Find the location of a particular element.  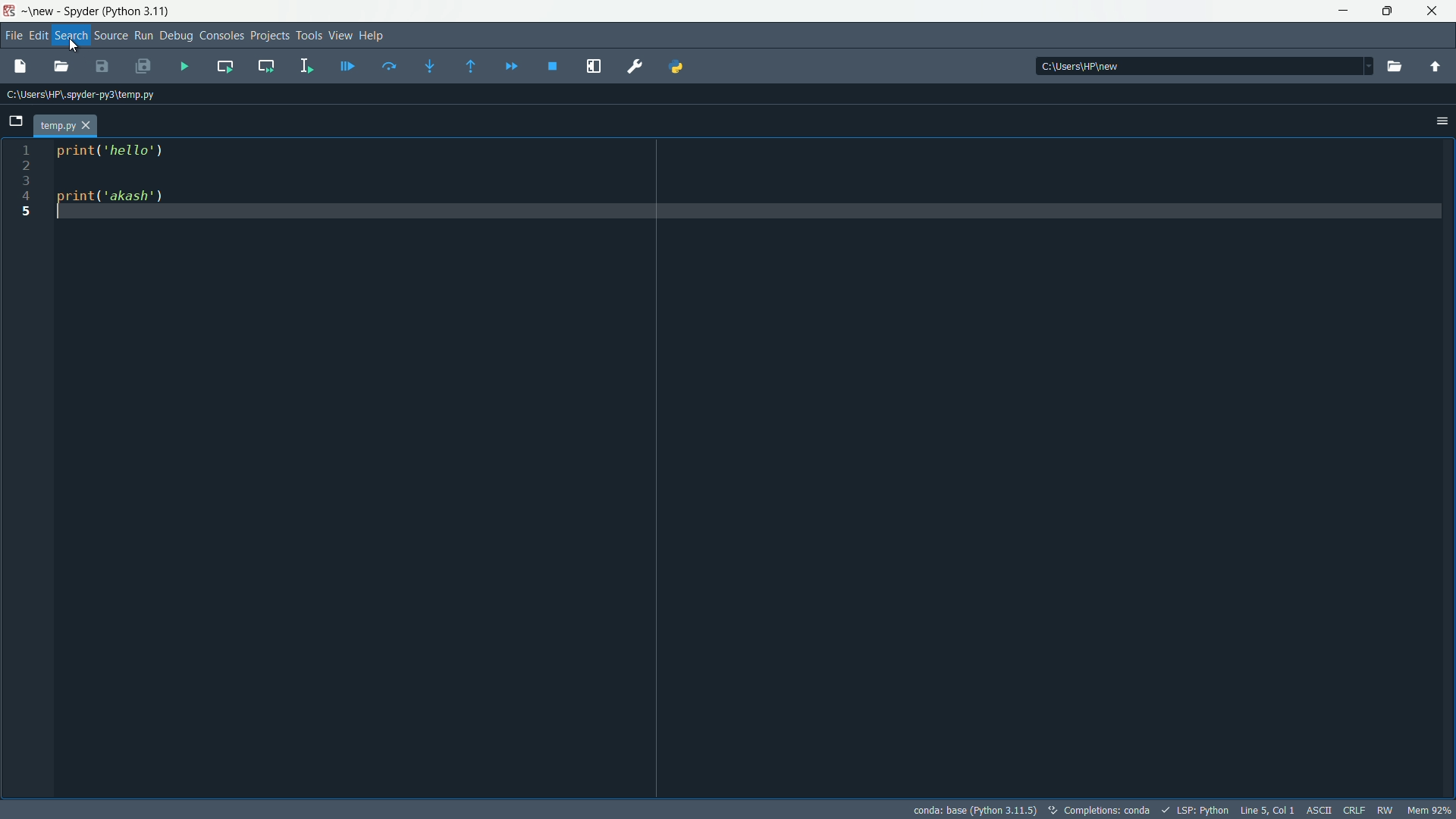

directory is located at coordinates (1203, 67).